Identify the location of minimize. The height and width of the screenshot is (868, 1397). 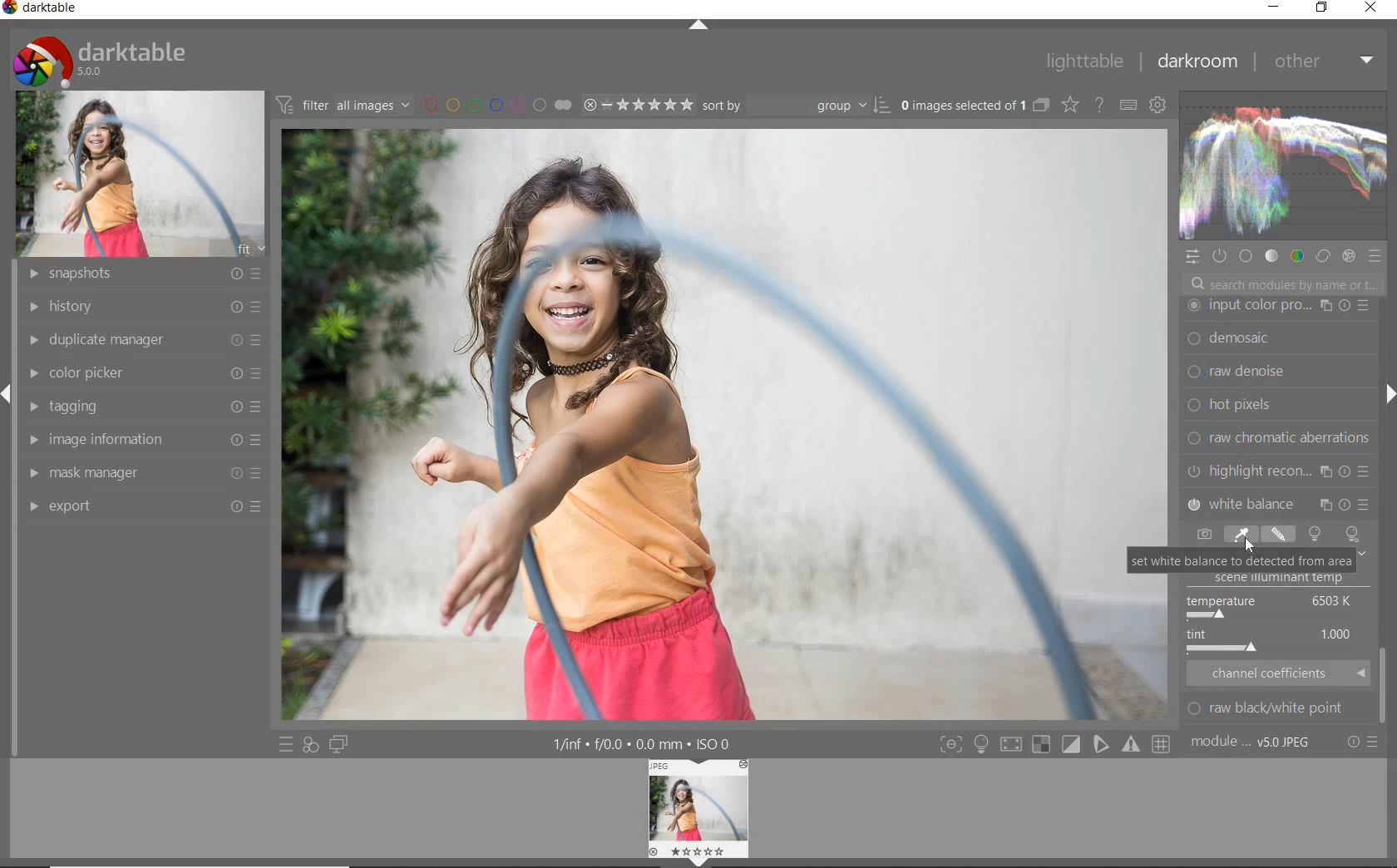
(1273, 6).